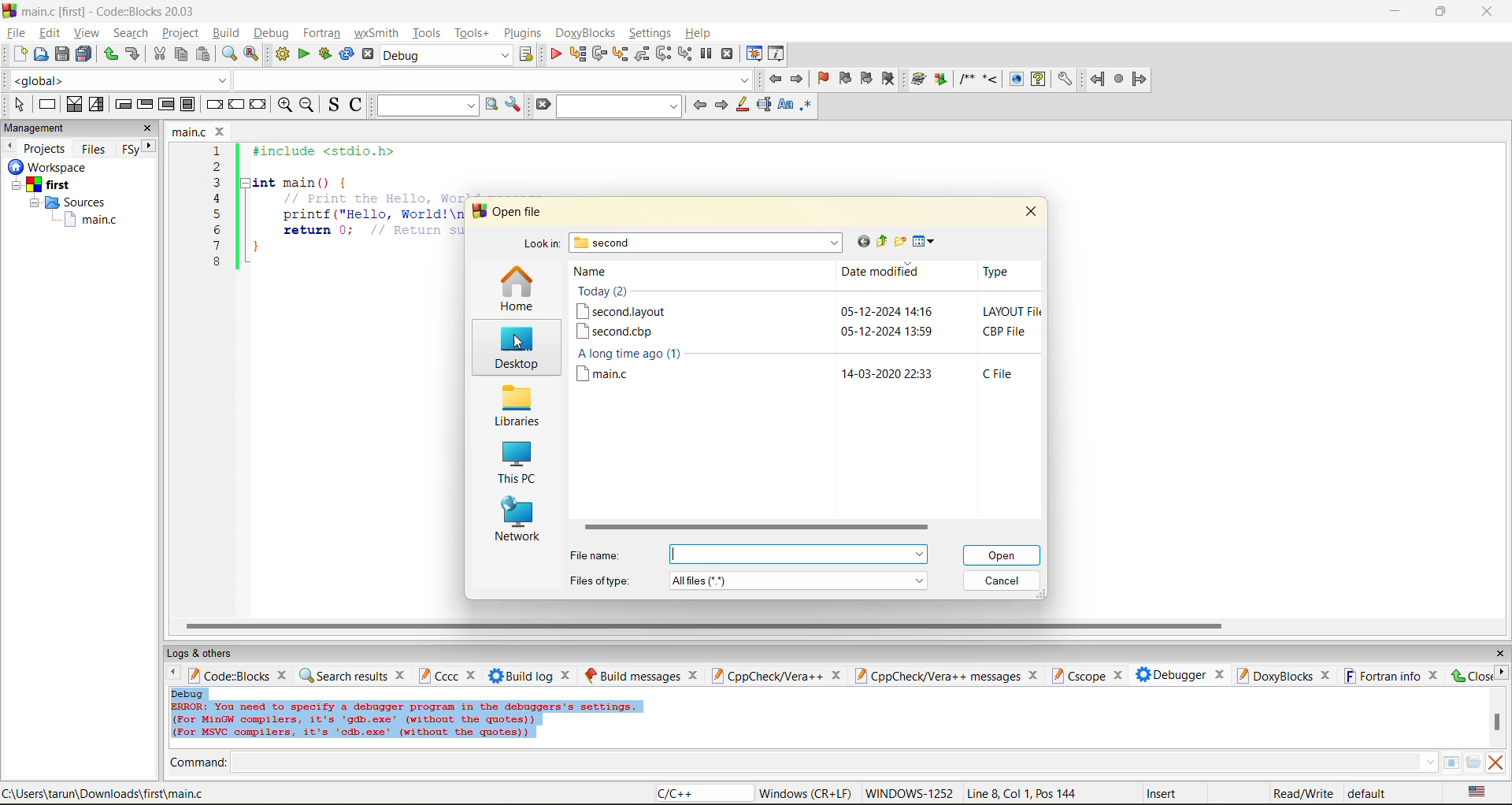 Image resolution: width=1512 pixels, height=805 pixels. Describe the element at coordinates (52, 33) in the screenshot. I see `edit` at that location.